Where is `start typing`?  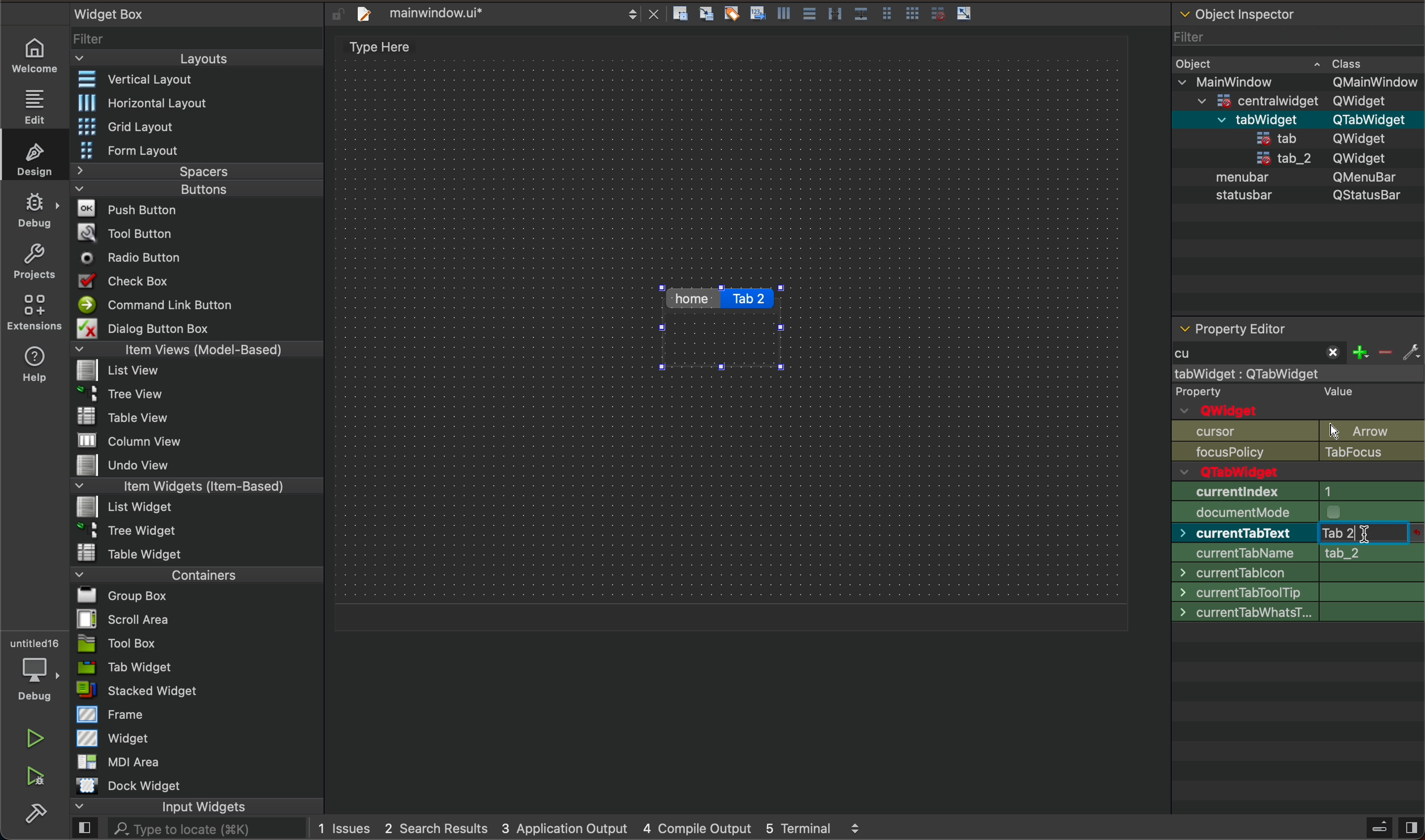
start typing is located at coordinates (1264, 355).